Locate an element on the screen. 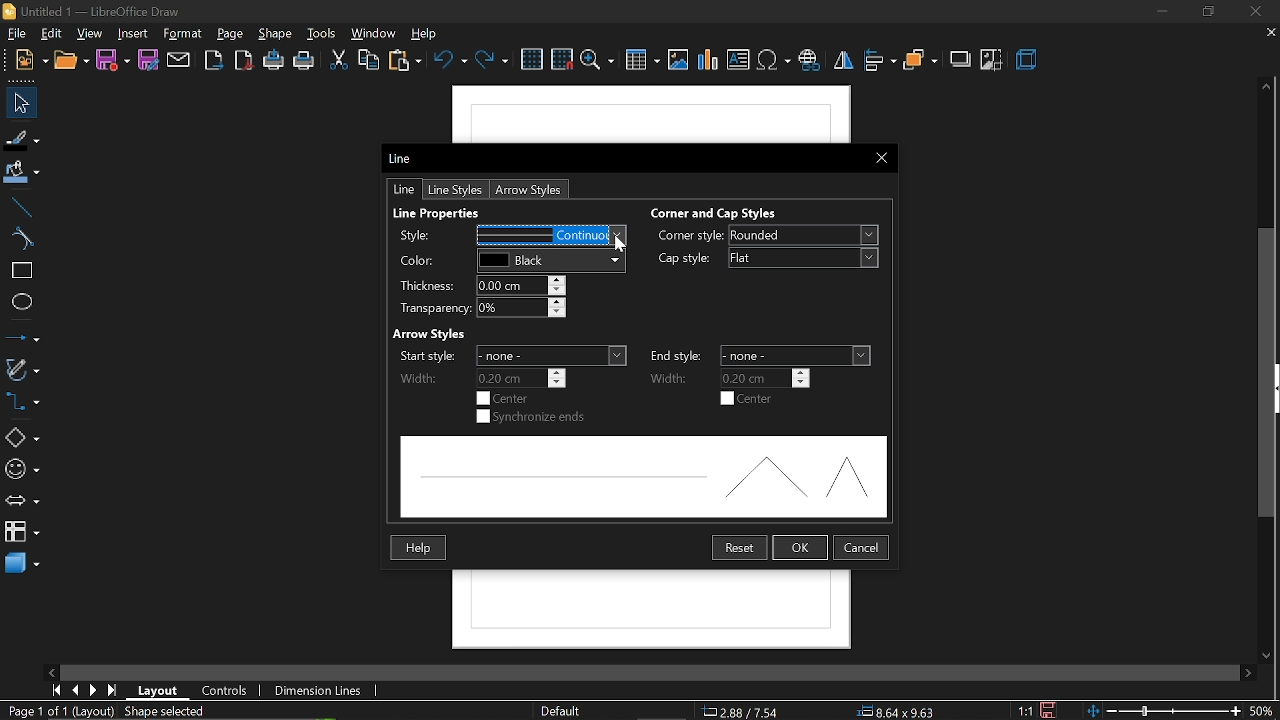  arrange is located at coordinates (921, 59).